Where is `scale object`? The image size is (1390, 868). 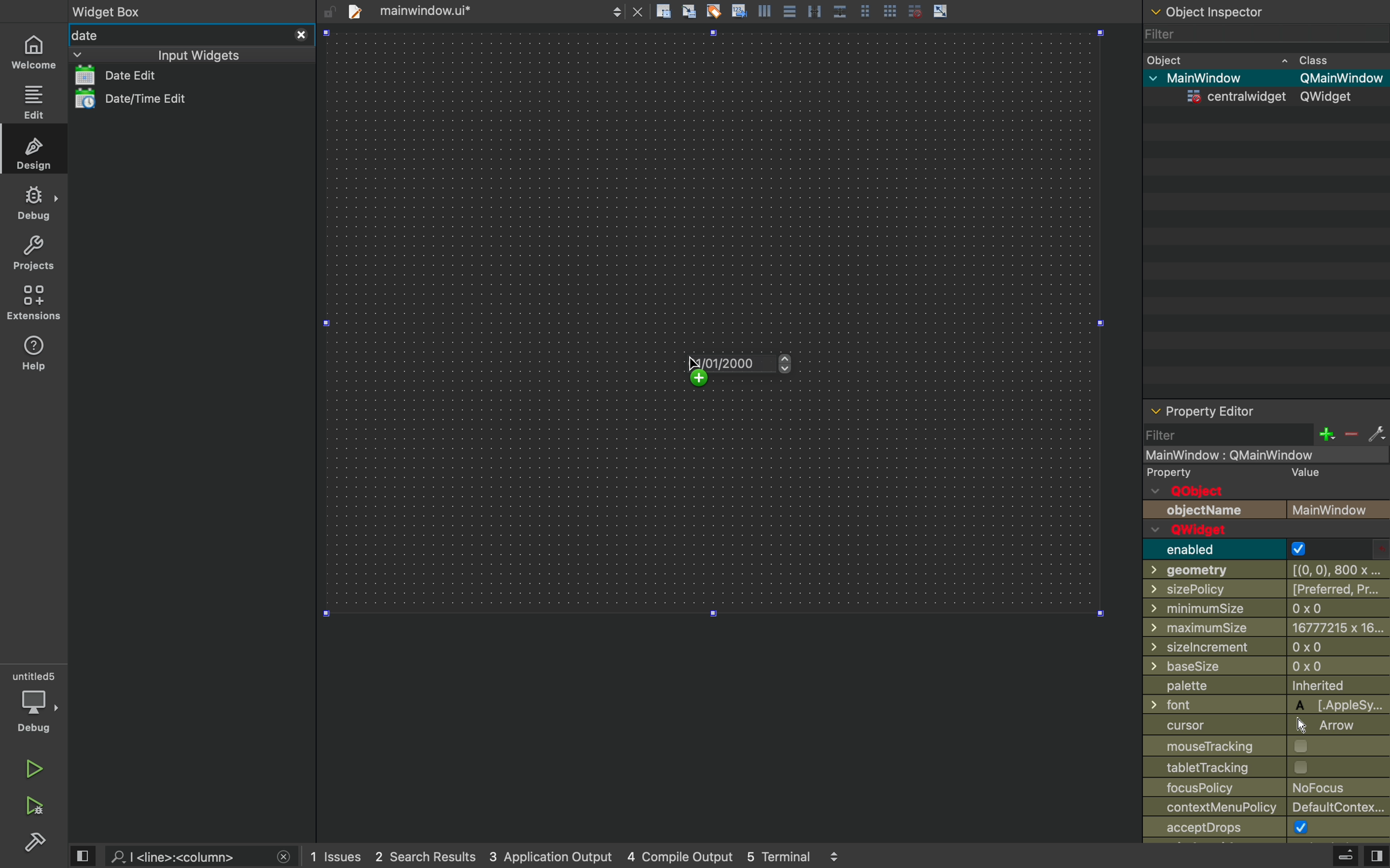
scale object is located at coordinates (941, 10).